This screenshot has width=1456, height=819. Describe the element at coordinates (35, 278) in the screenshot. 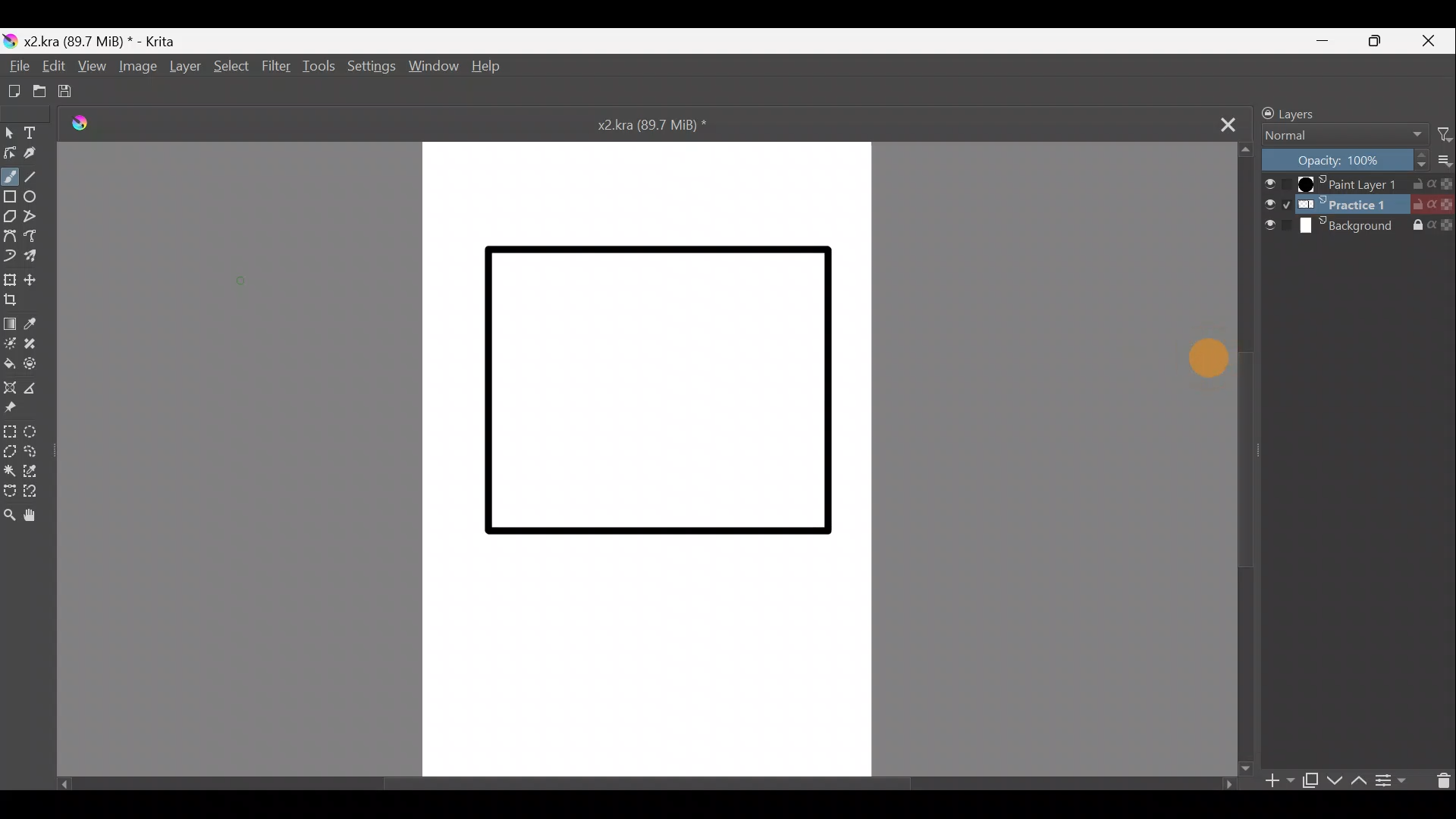

I see `Move a layer` at that location.